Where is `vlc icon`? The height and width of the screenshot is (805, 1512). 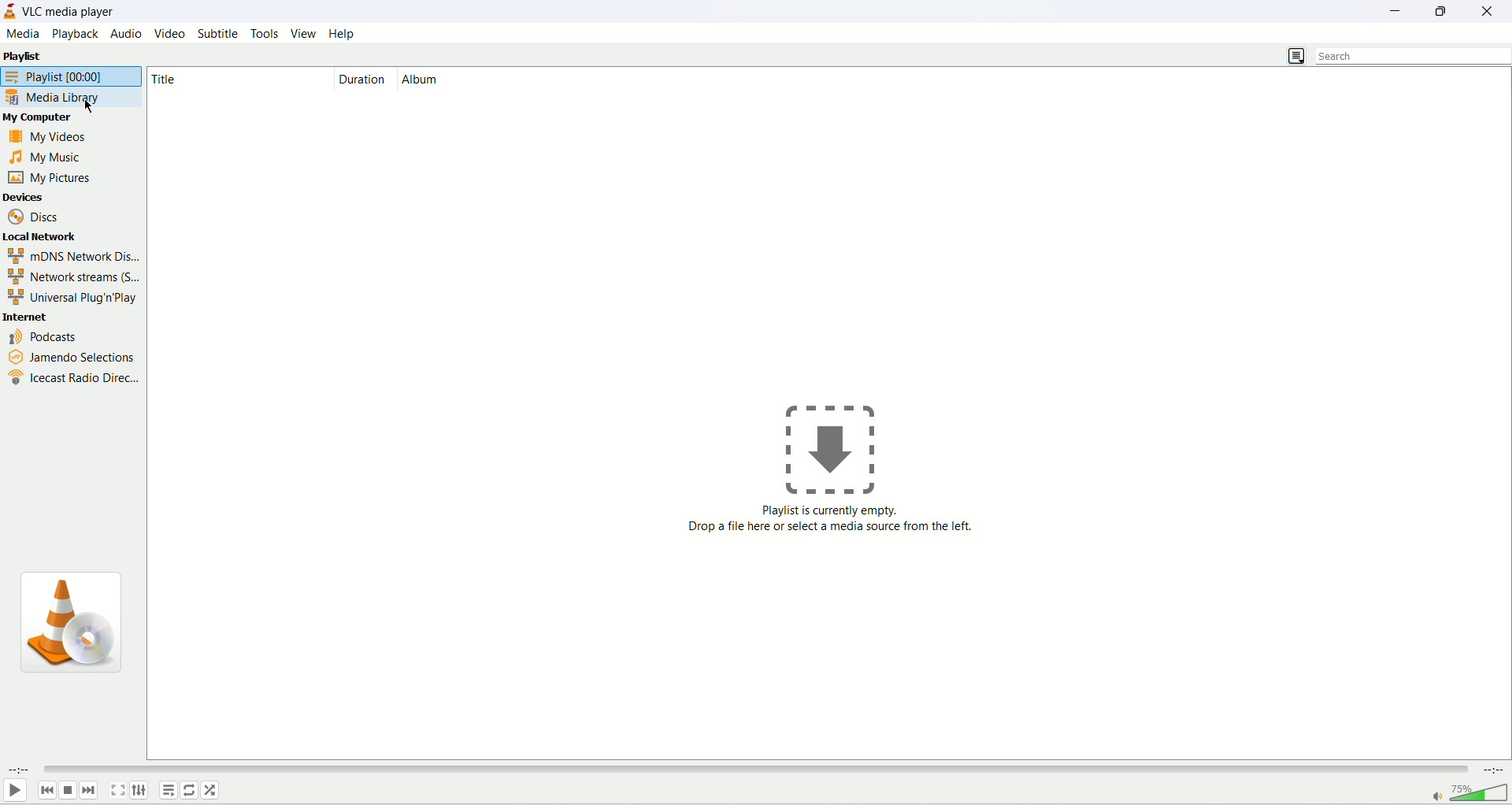 vlc icon is located at coordinates (78, 621).